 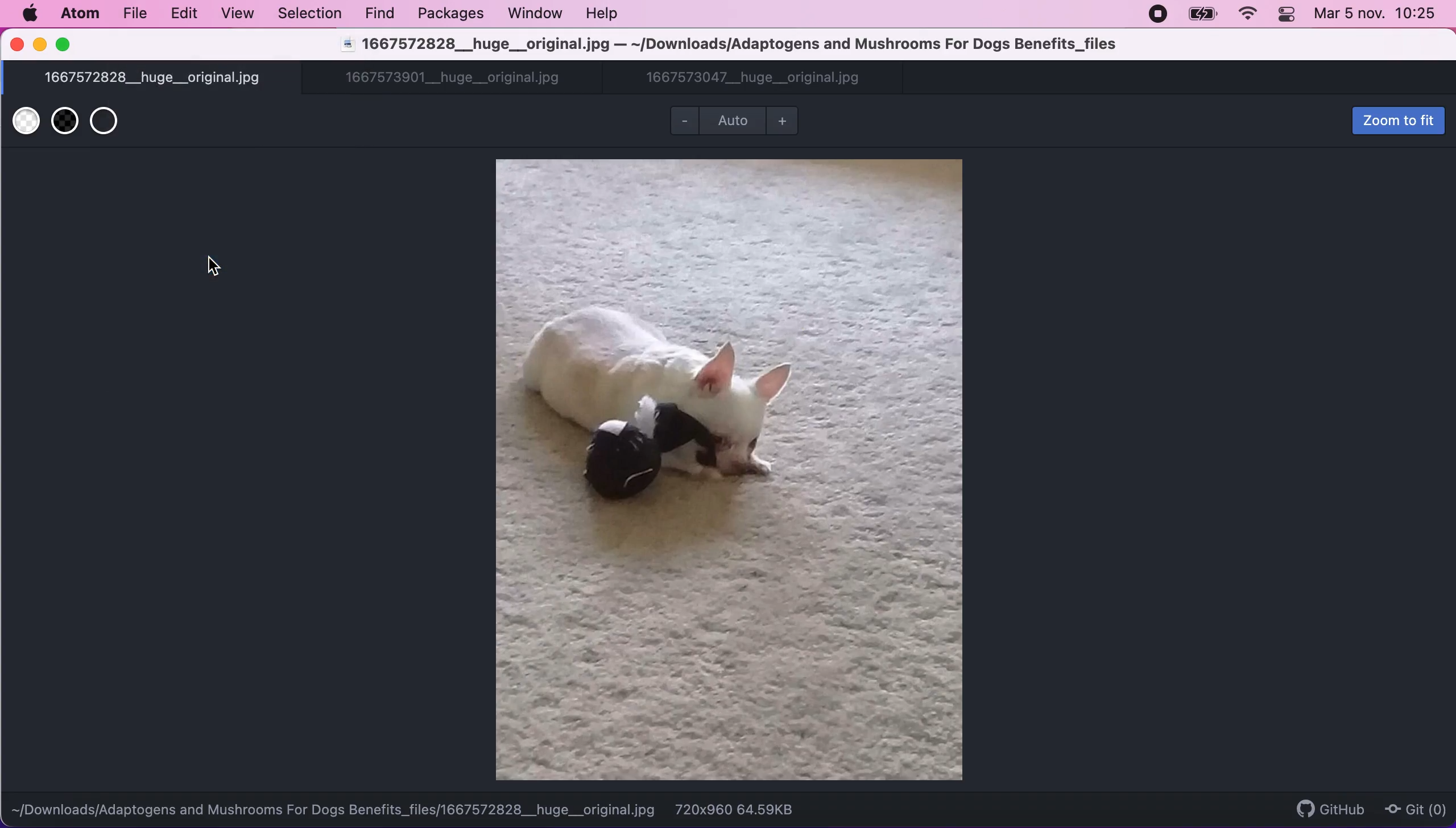 I want to click on 1667573047__huge__original.jpg, so click(x=754, y=80).